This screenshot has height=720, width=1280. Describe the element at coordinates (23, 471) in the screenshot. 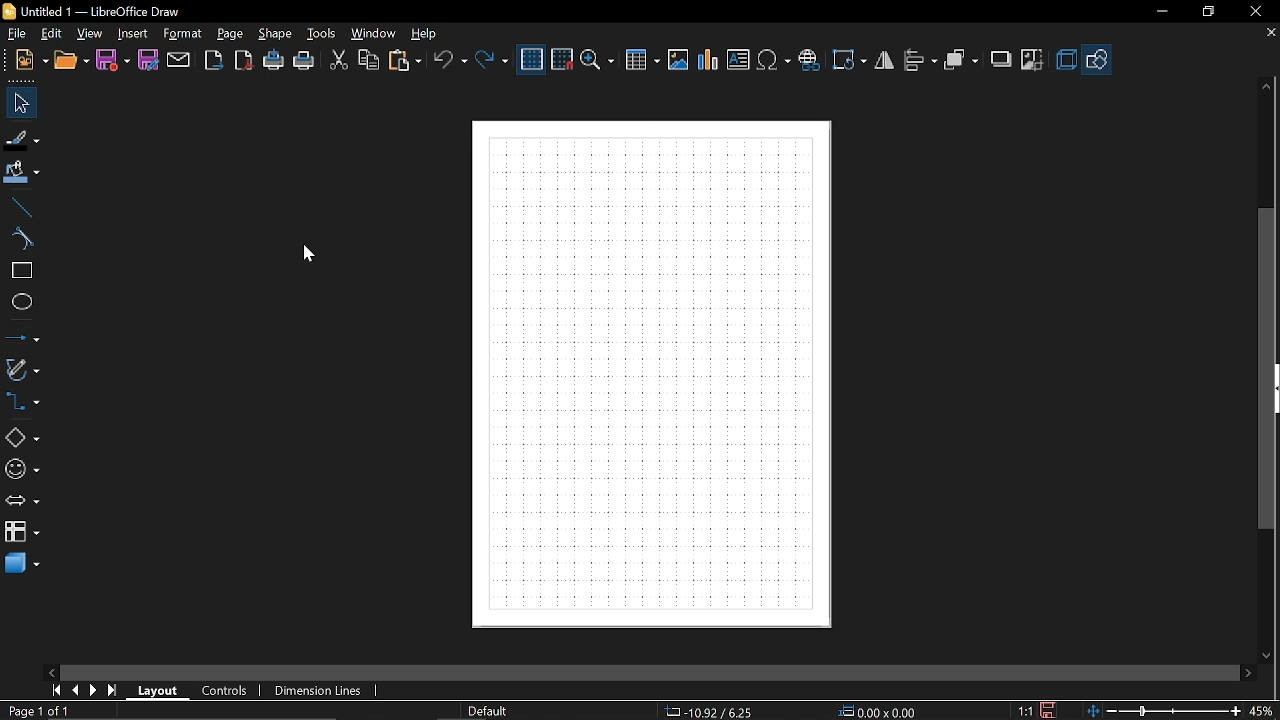

I see `symbol shapes` at that location.